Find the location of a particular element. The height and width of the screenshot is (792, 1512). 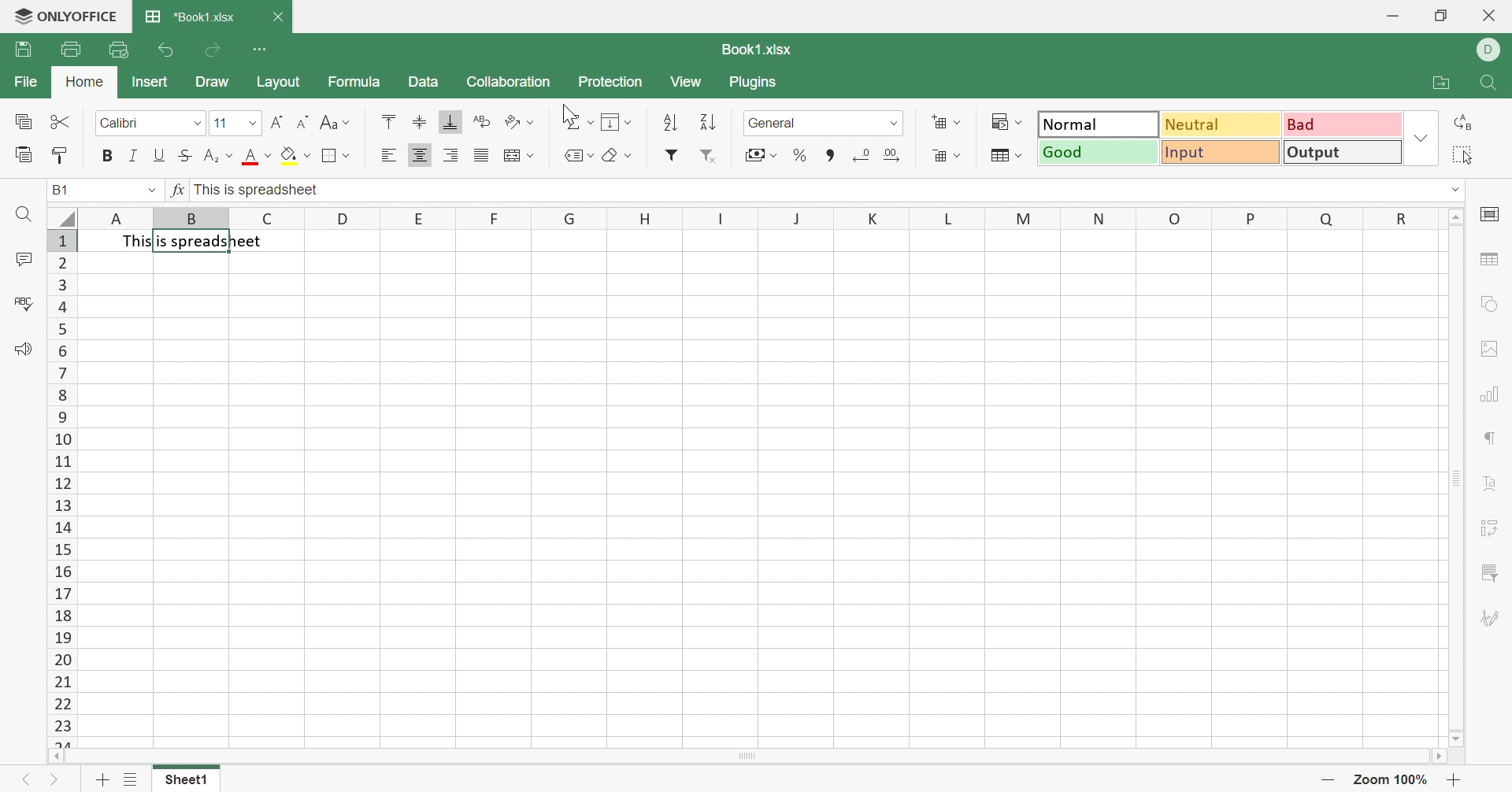

Home is located at coordinates (83, 81).